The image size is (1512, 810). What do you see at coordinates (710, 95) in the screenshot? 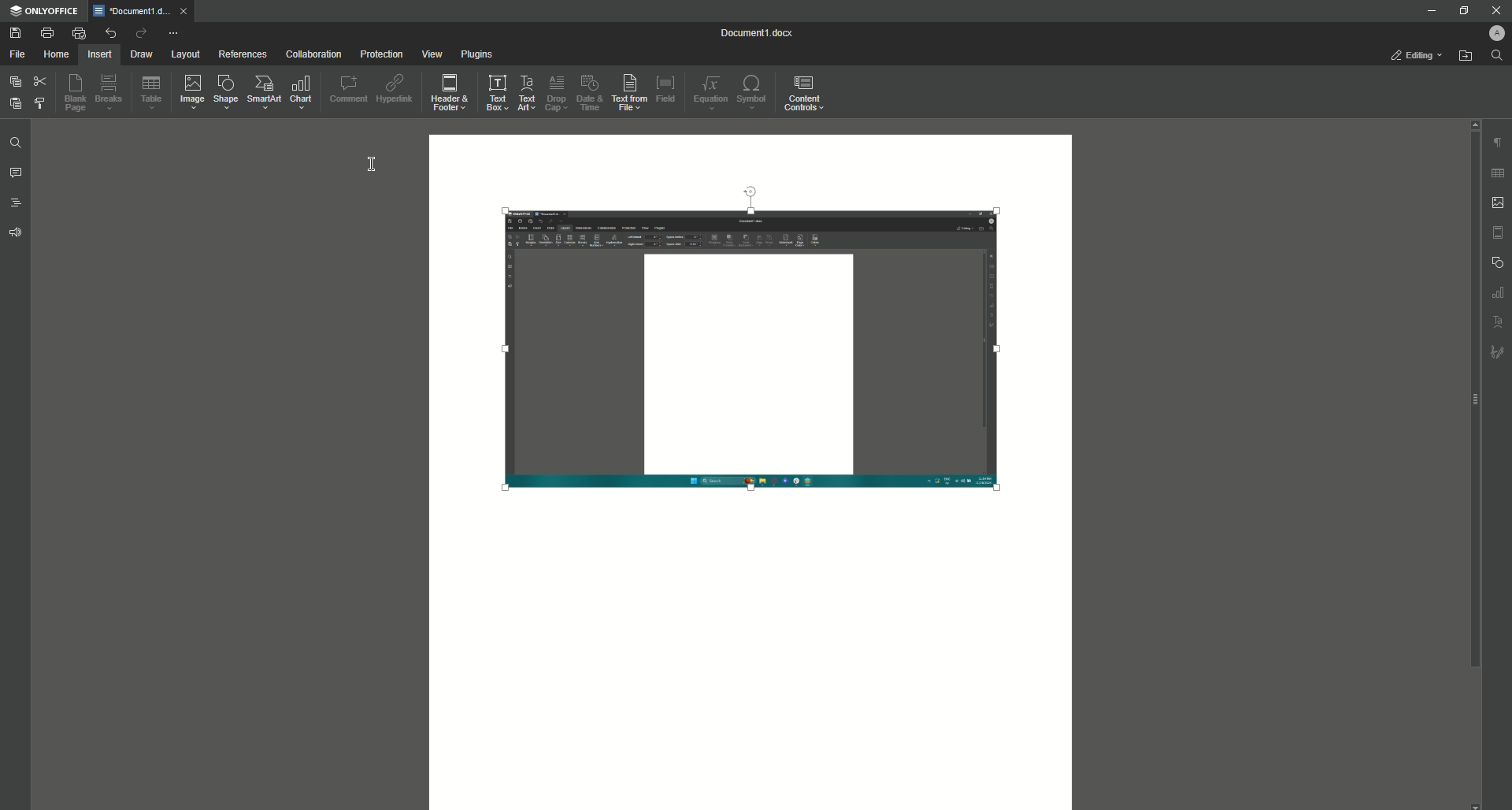
I see `Equation` at bounding box center [710, 95].